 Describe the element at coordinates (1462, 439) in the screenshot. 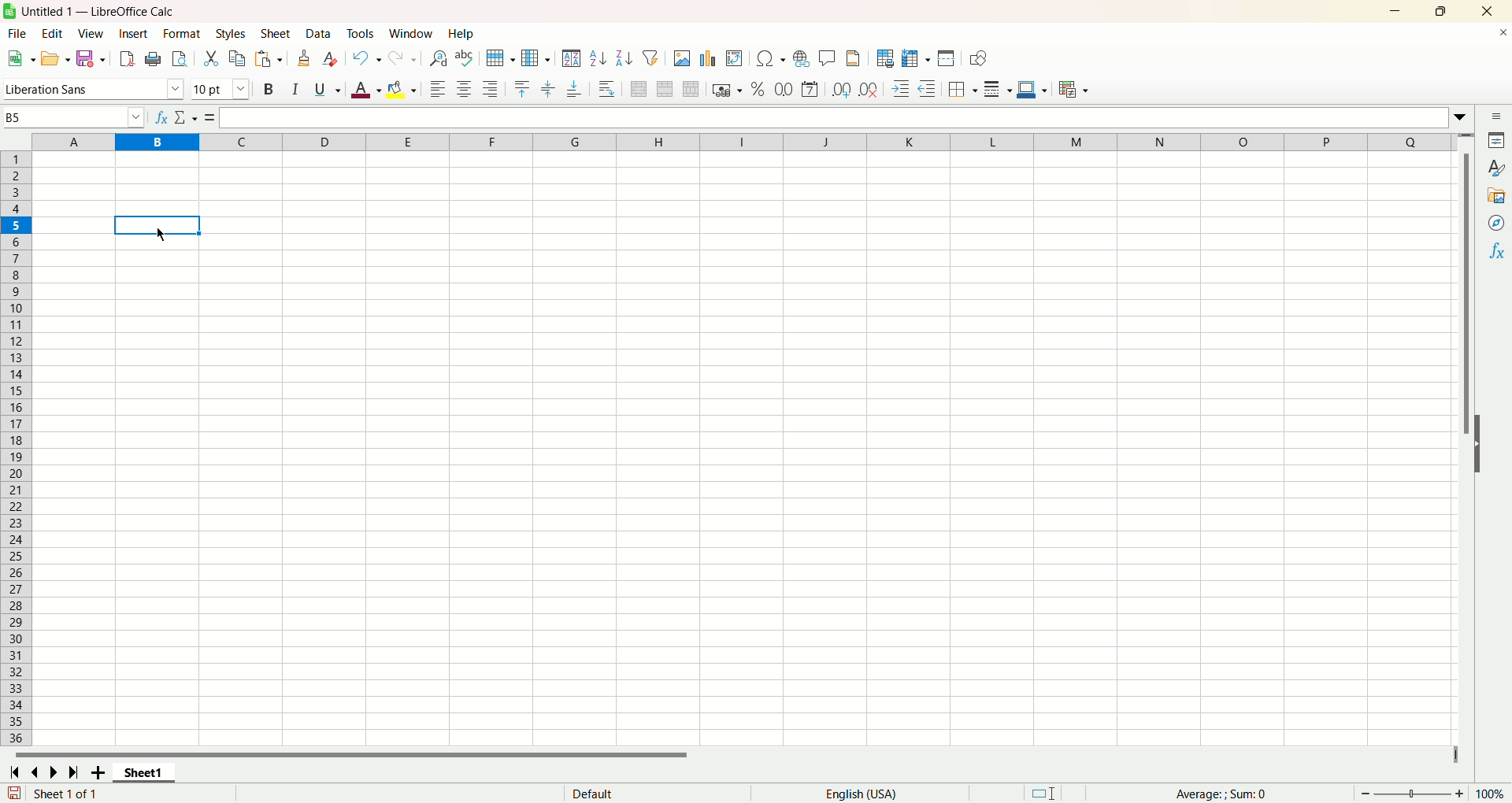

I see `vertical scroll bar` at that location.